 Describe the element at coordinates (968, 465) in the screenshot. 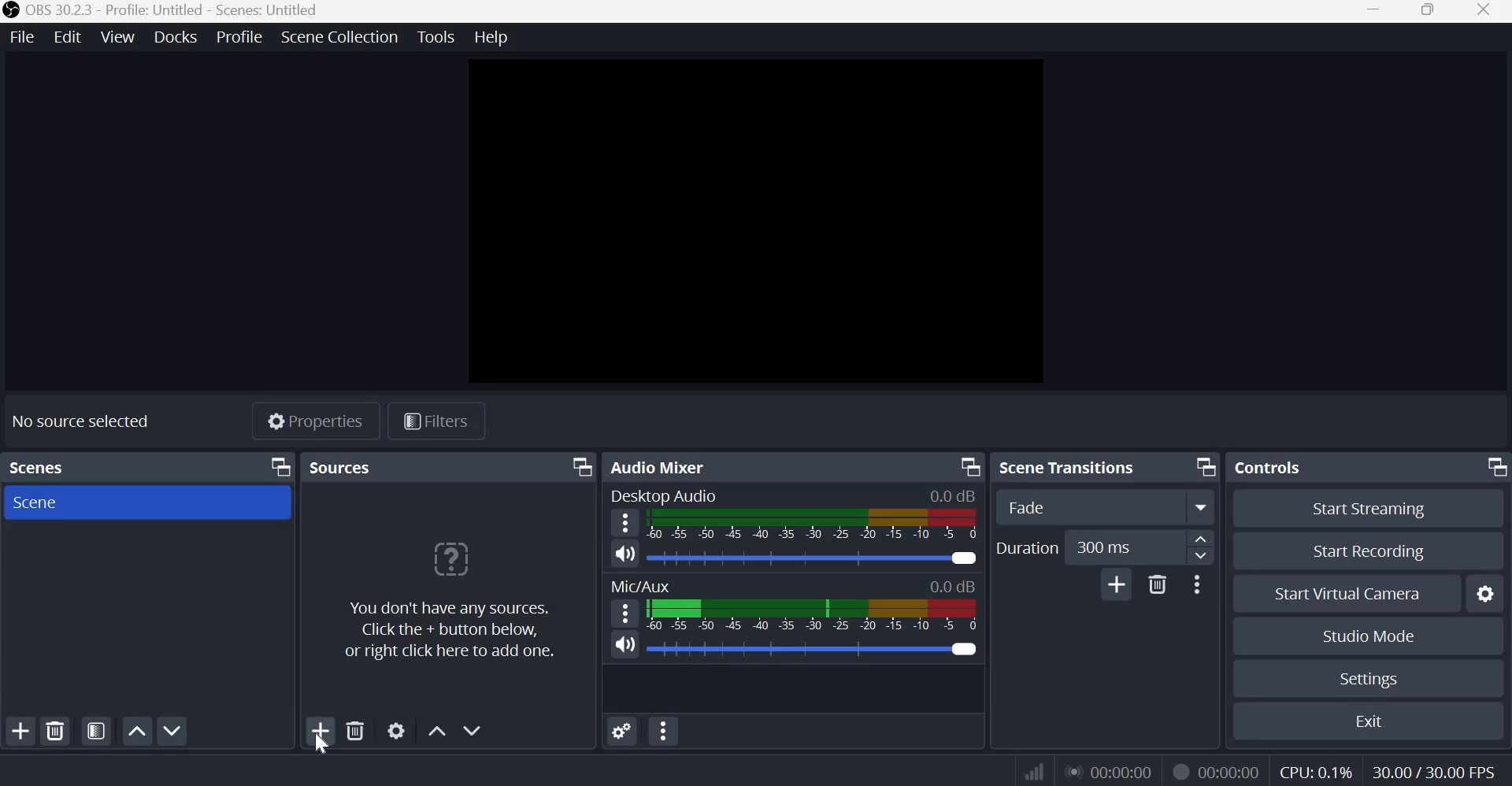

I see ` Dock Options icon` at that location.